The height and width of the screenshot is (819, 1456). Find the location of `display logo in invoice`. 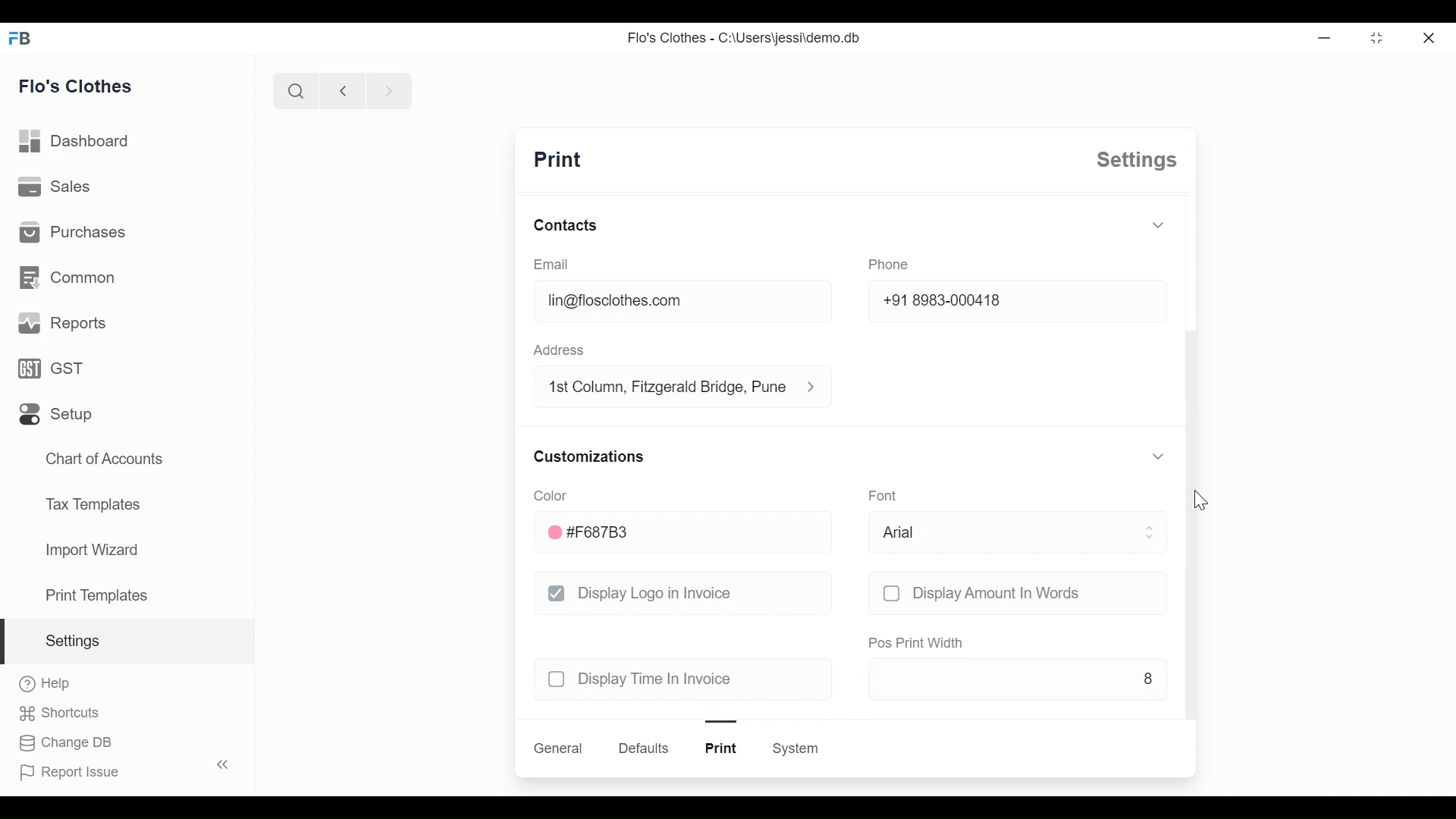

display logo in invoice is located at coordinates (657, 592).